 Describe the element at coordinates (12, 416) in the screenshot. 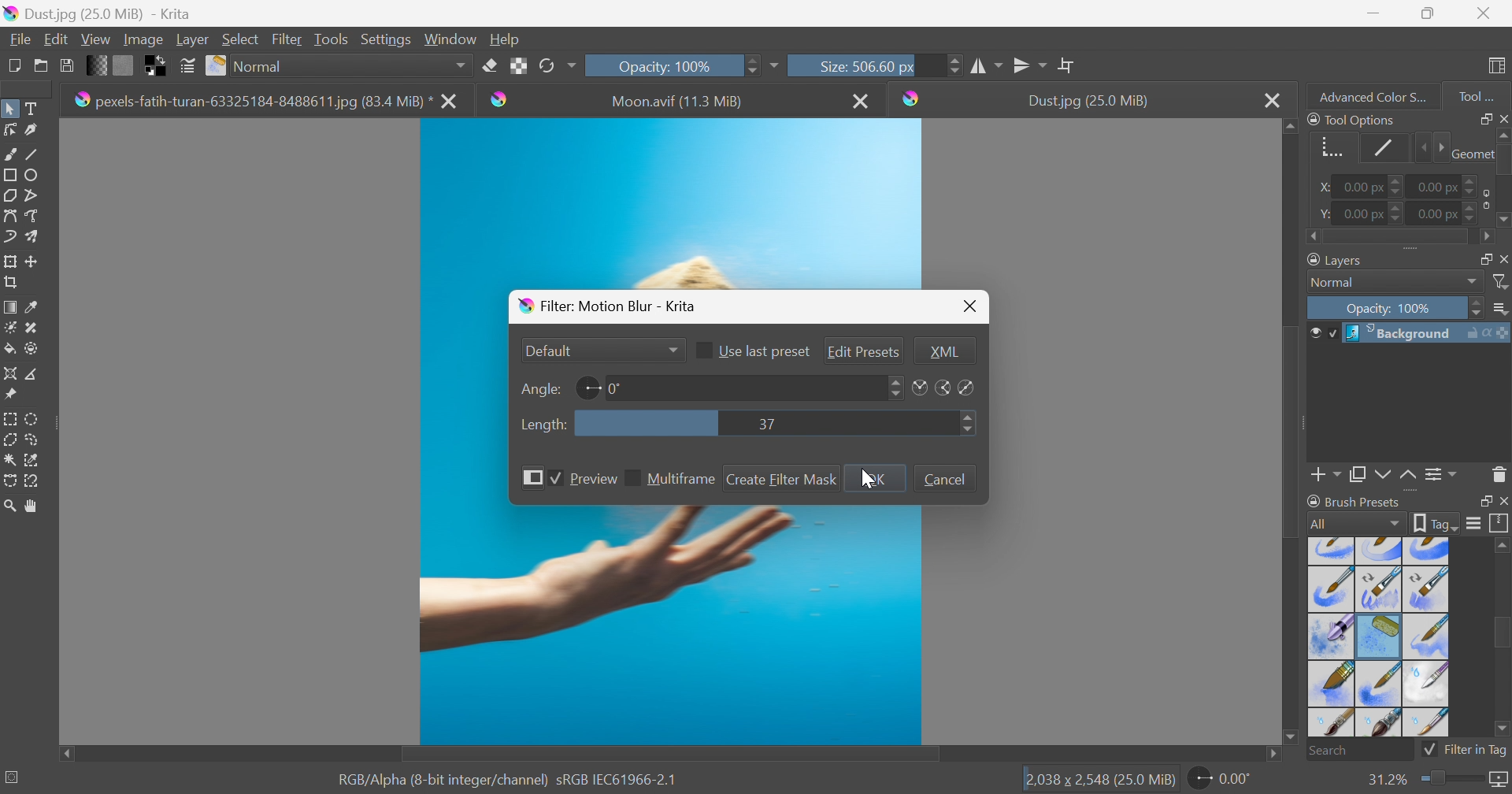

I see `Rectangular selection tool` at that location.